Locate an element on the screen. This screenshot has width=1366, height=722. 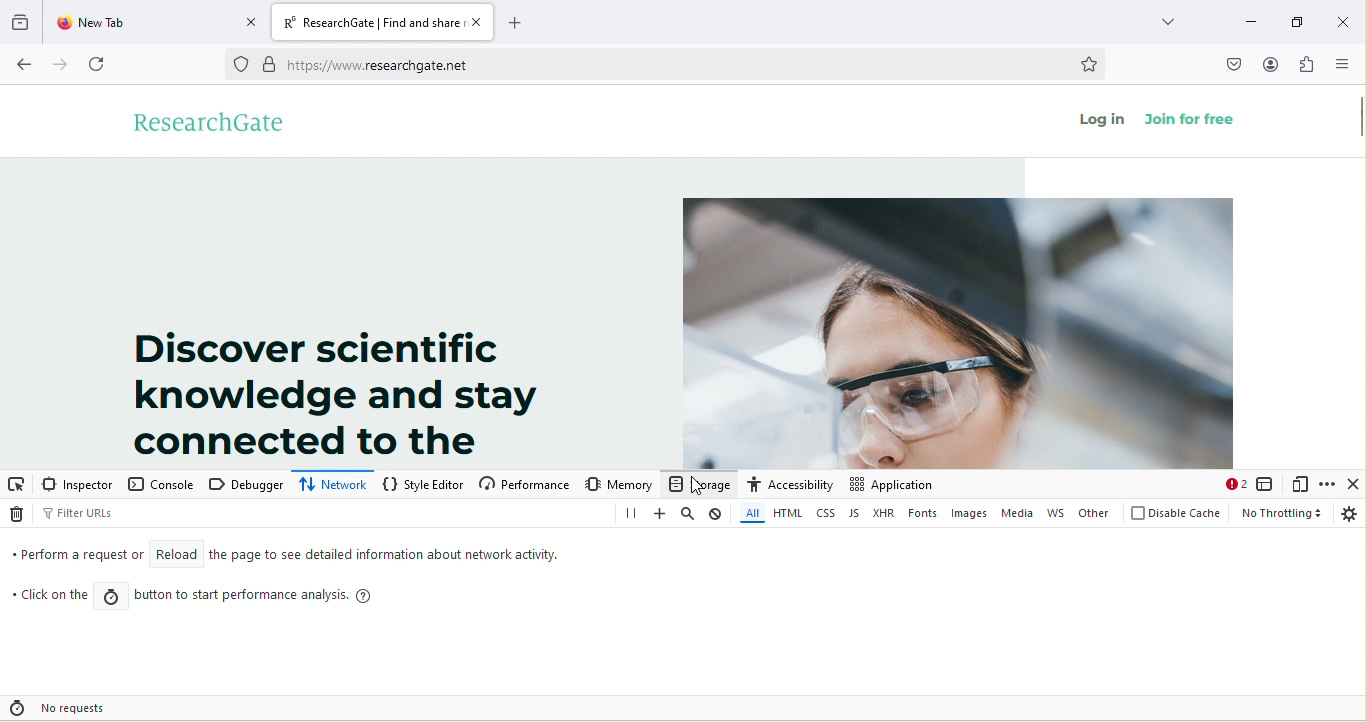
join for free is located at coordinates (1197, 122).